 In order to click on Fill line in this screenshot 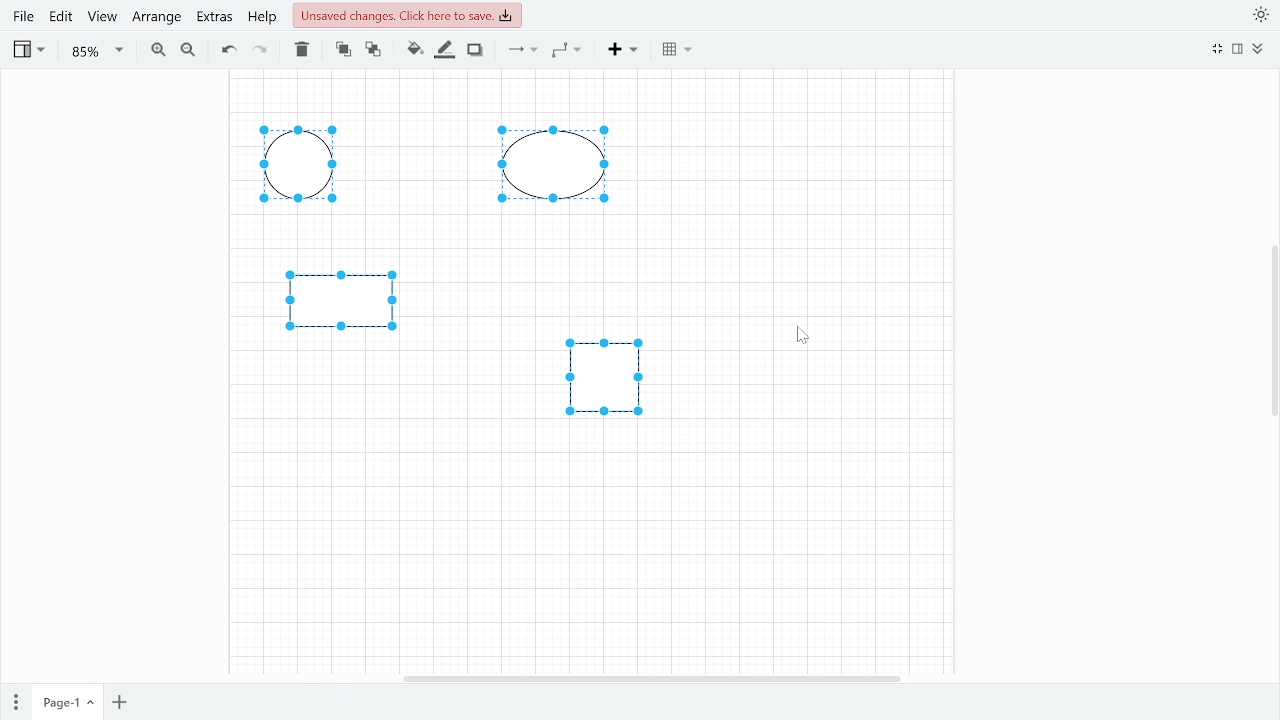, I will do `click(445, 49)`.